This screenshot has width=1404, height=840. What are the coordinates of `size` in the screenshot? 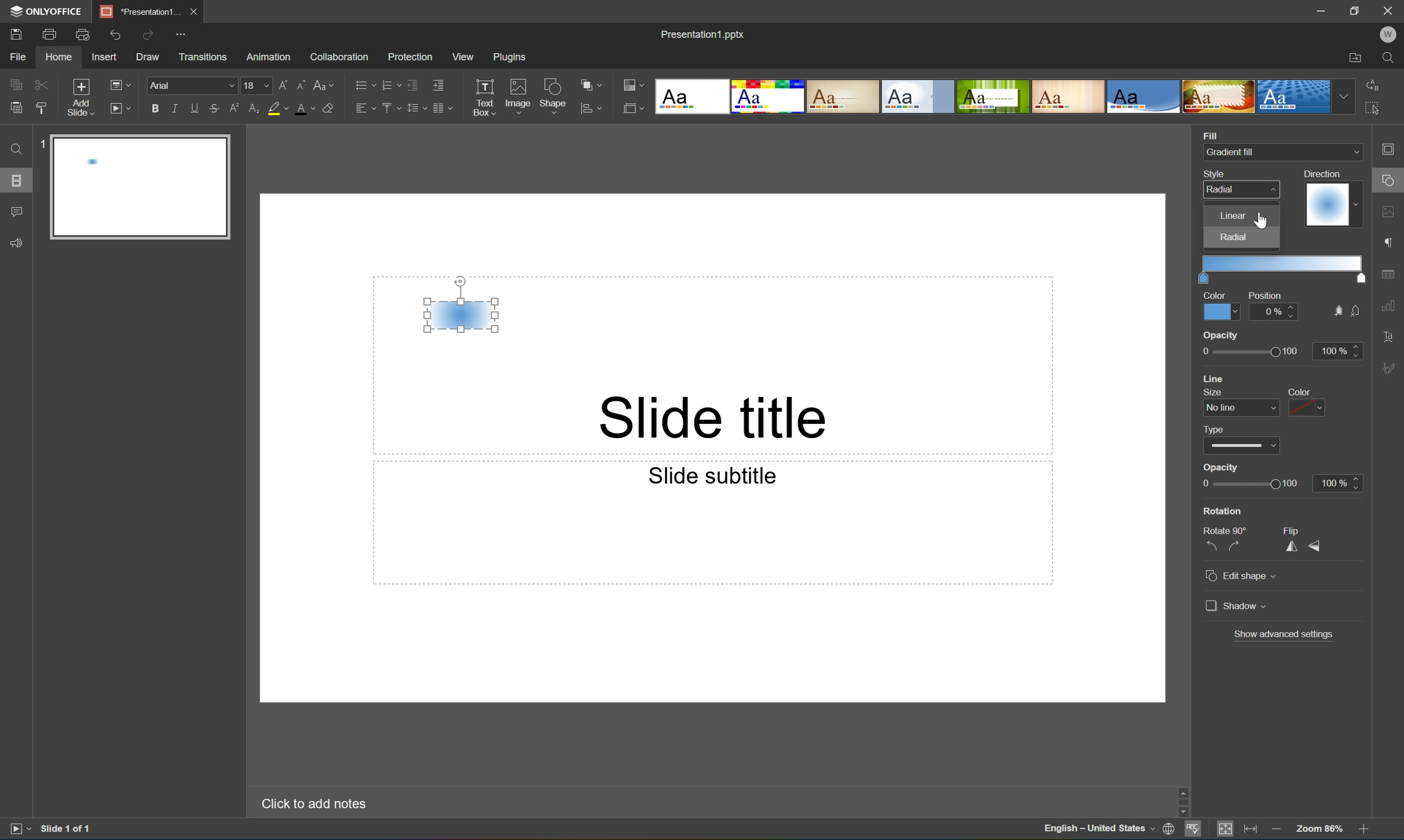 It's located at (1210, 392).